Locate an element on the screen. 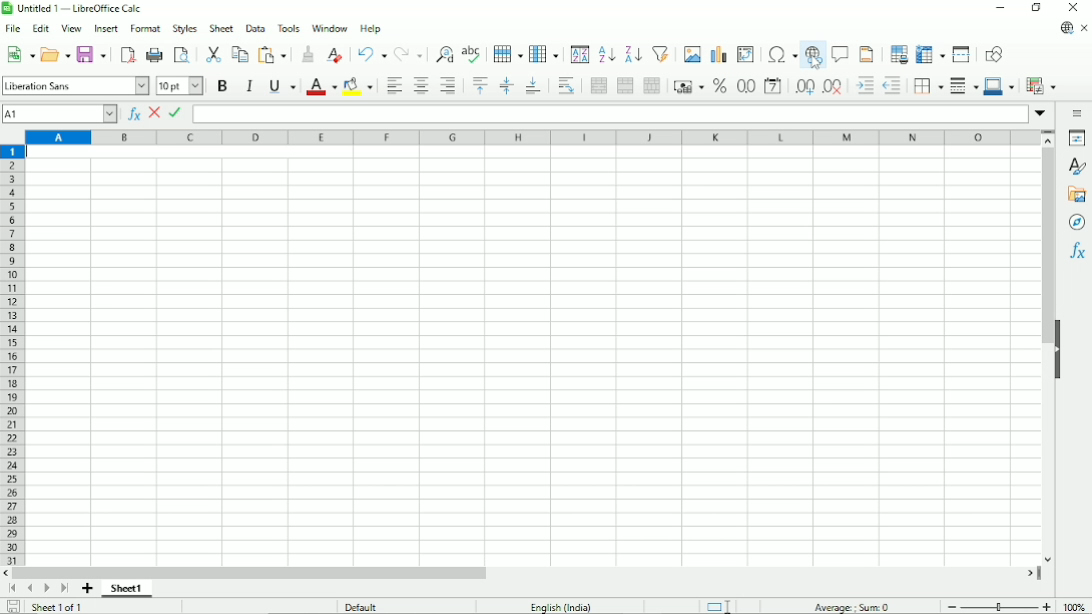  Standard selection is located at coordinates (722, 605).